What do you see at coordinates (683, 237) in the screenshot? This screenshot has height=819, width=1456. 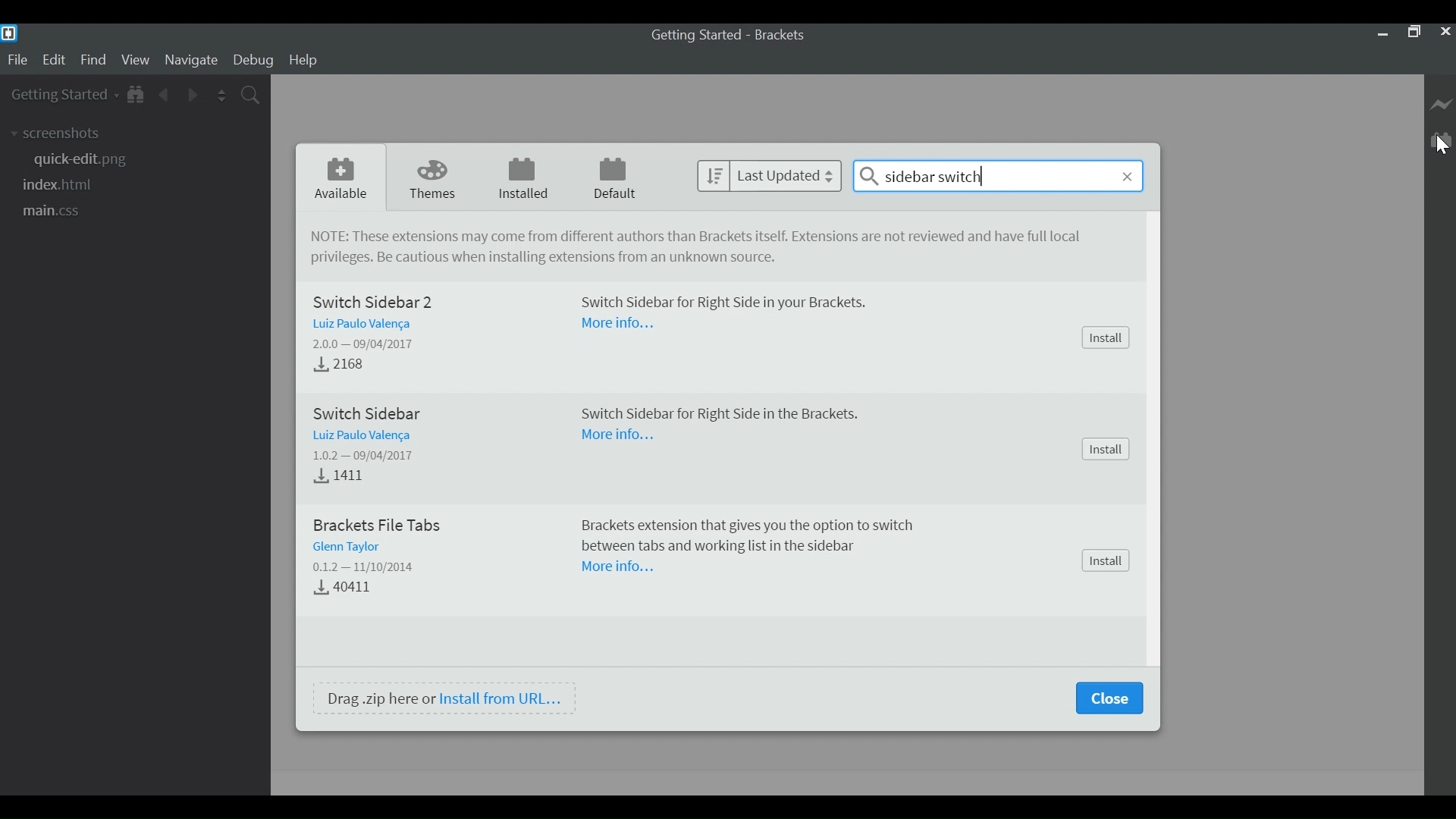 I see `NOTE: These extensions may come from different authors tan Brackets itself. Extensions are not reviewed and have full local privileges` at bounding box center [683, 237].